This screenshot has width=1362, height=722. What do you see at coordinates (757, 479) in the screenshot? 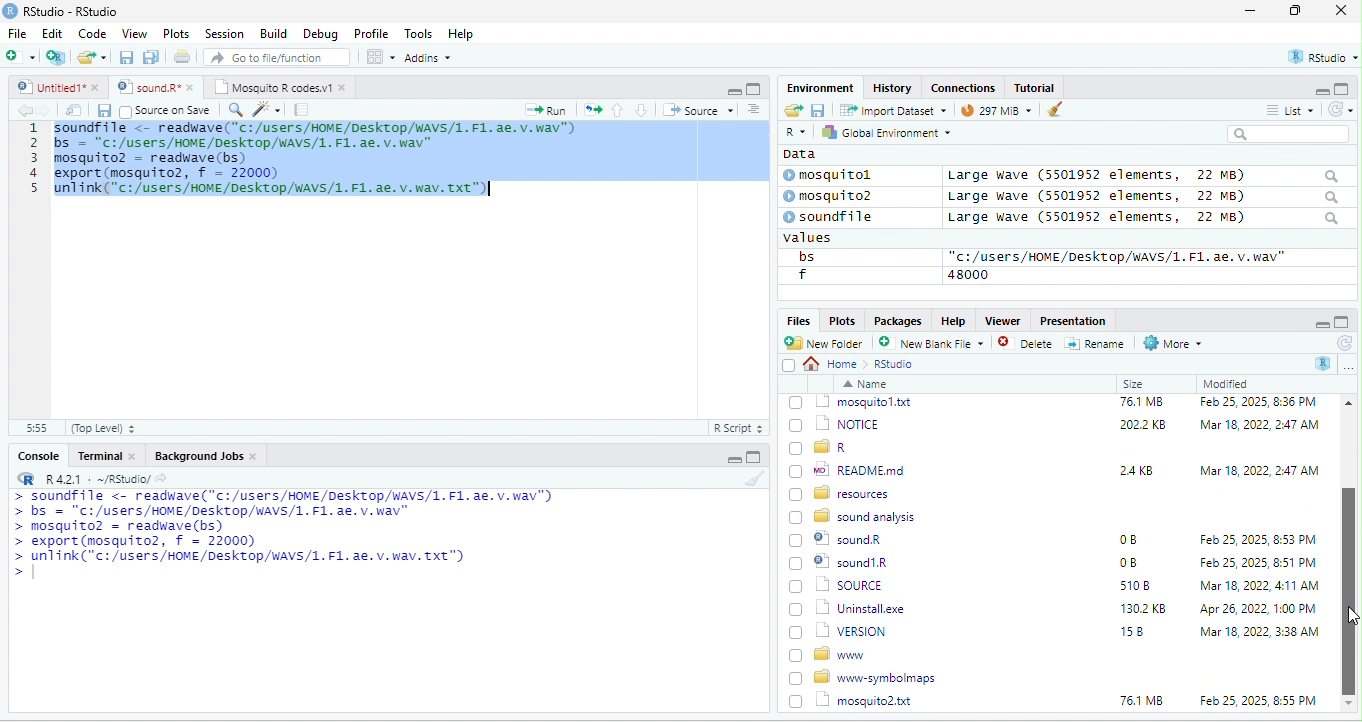
I see `brush` at bounding box center [757, 479].